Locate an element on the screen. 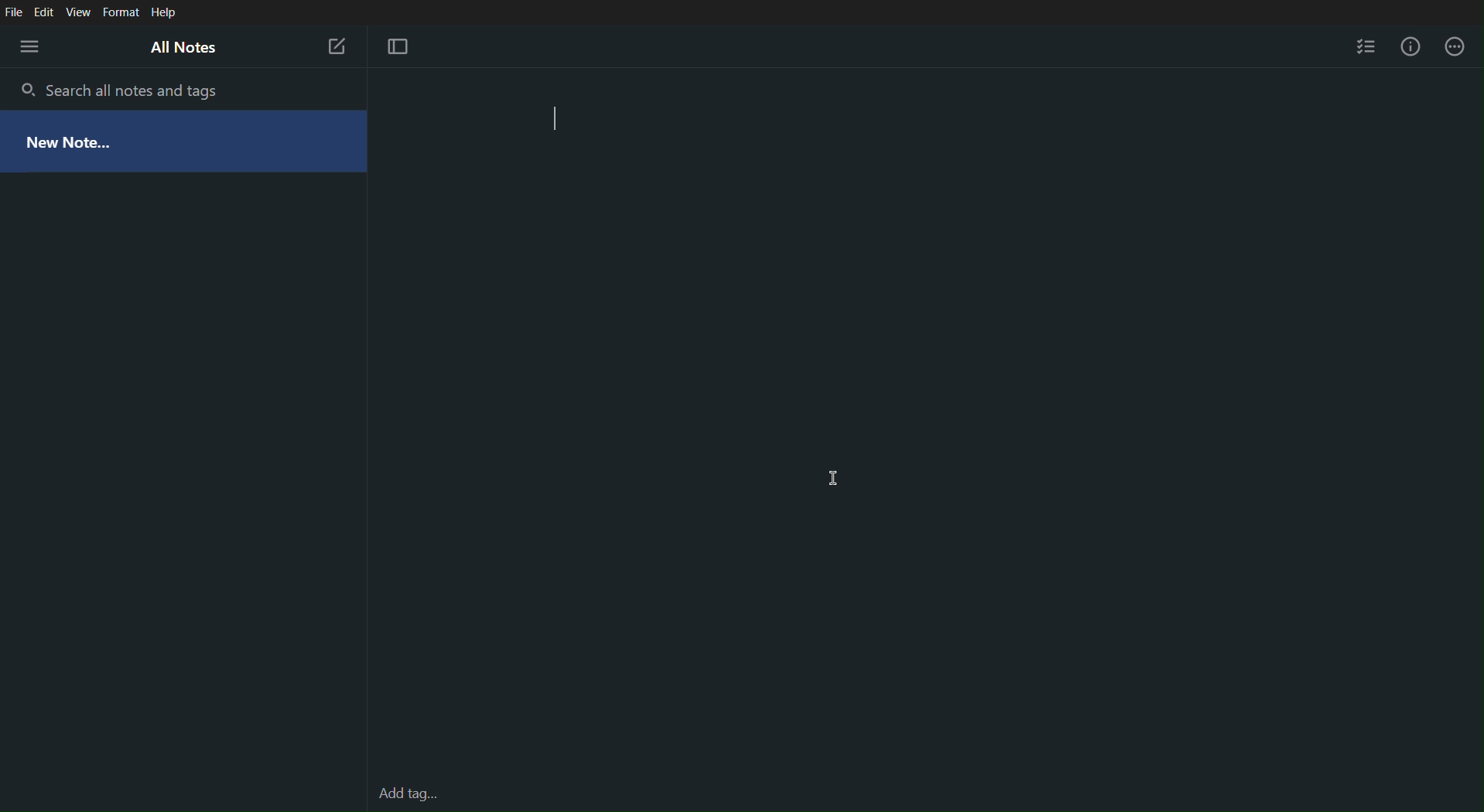 The height and width of the screenshot is (812, 1484). All Notes is located at coordinates (183, 49).